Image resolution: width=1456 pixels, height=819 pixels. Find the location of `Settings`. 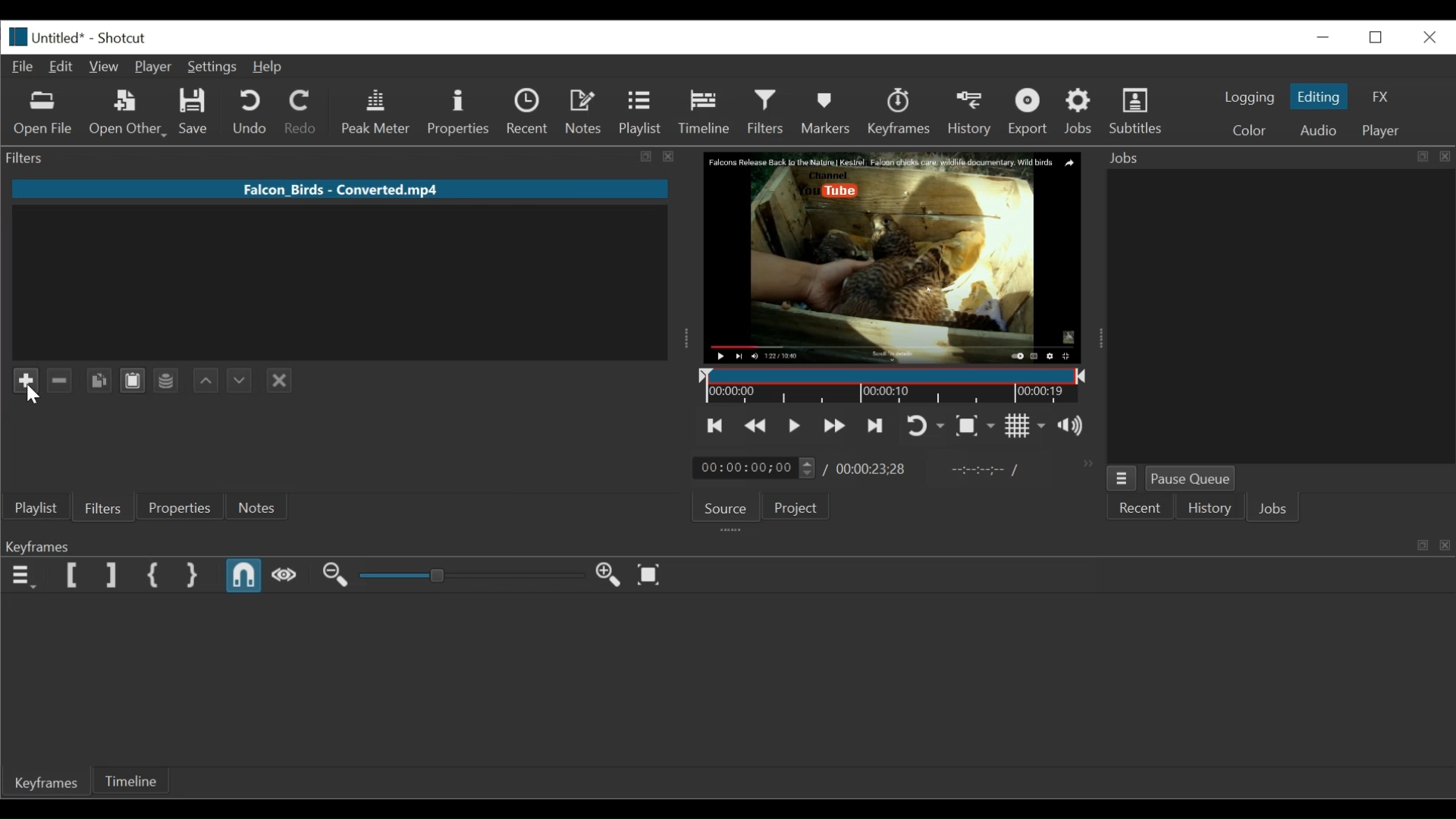

Settings is located at coordinates (215, 67).